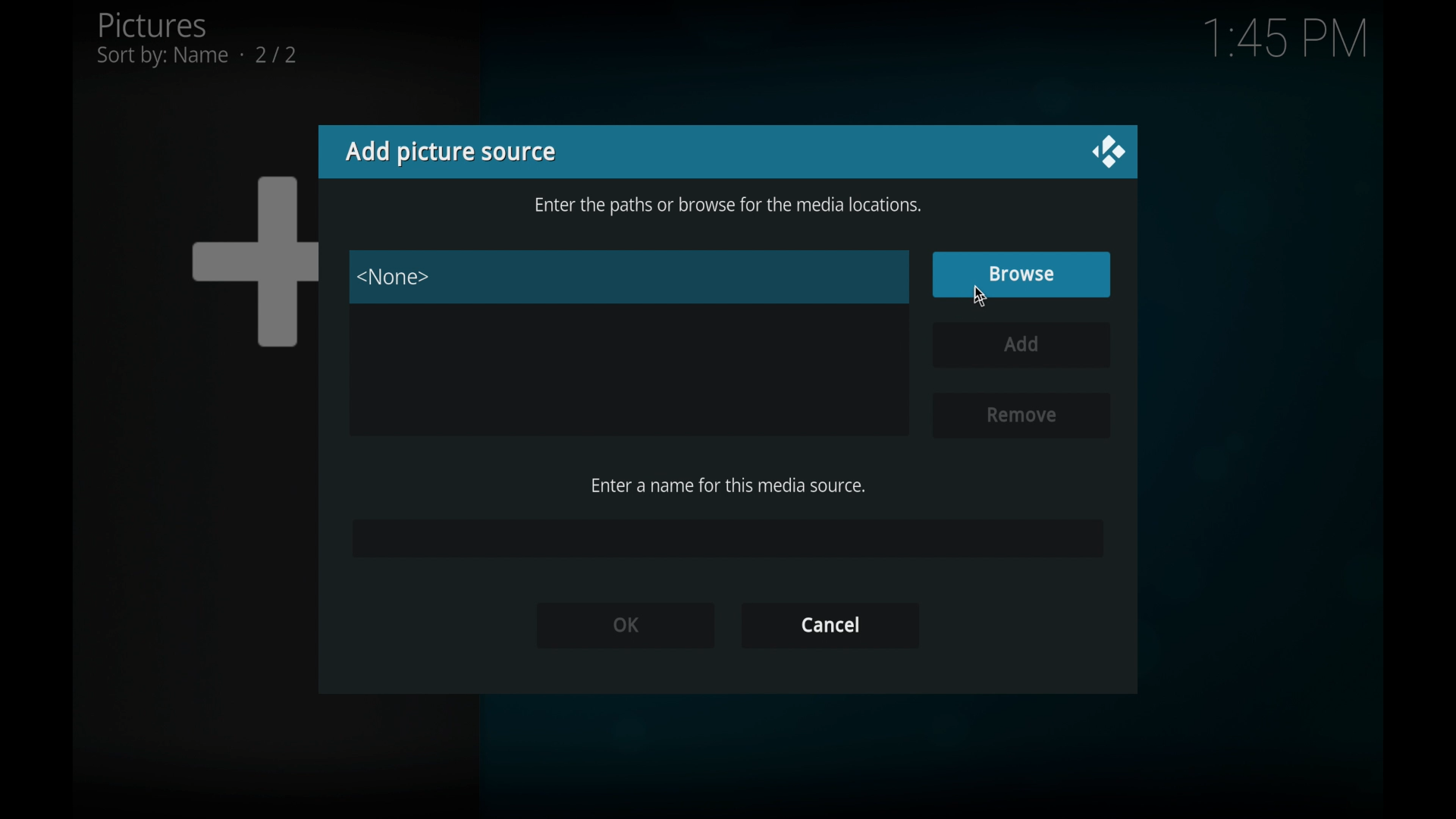 The image size is (1456, 819). What do you see at coordinates (1021, 275) in the screenshot?
I see `browse` at bounding box center [1021, 275].